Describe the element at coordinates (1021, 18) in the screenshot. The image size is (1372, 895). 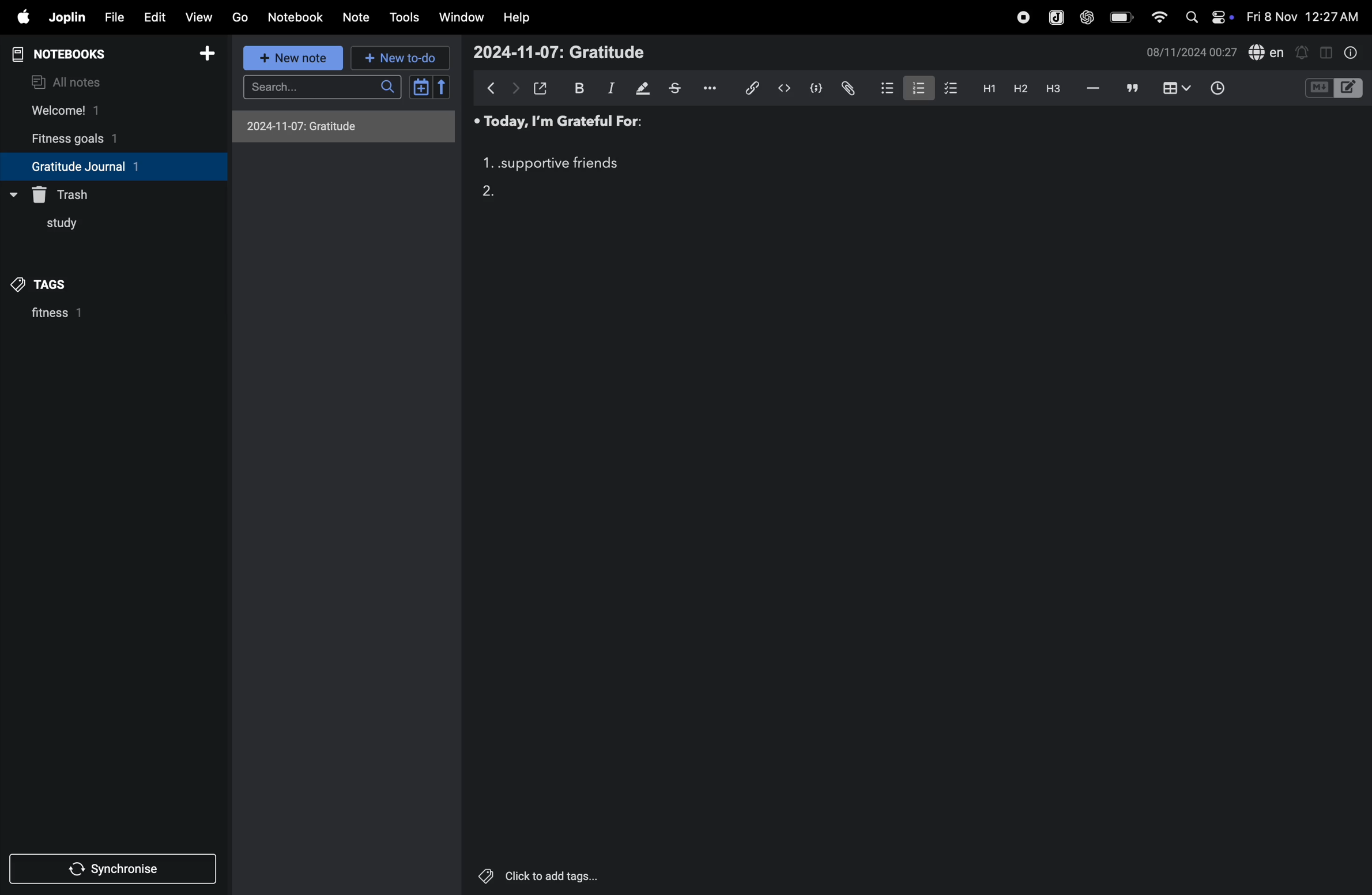
I see `record` at that location.